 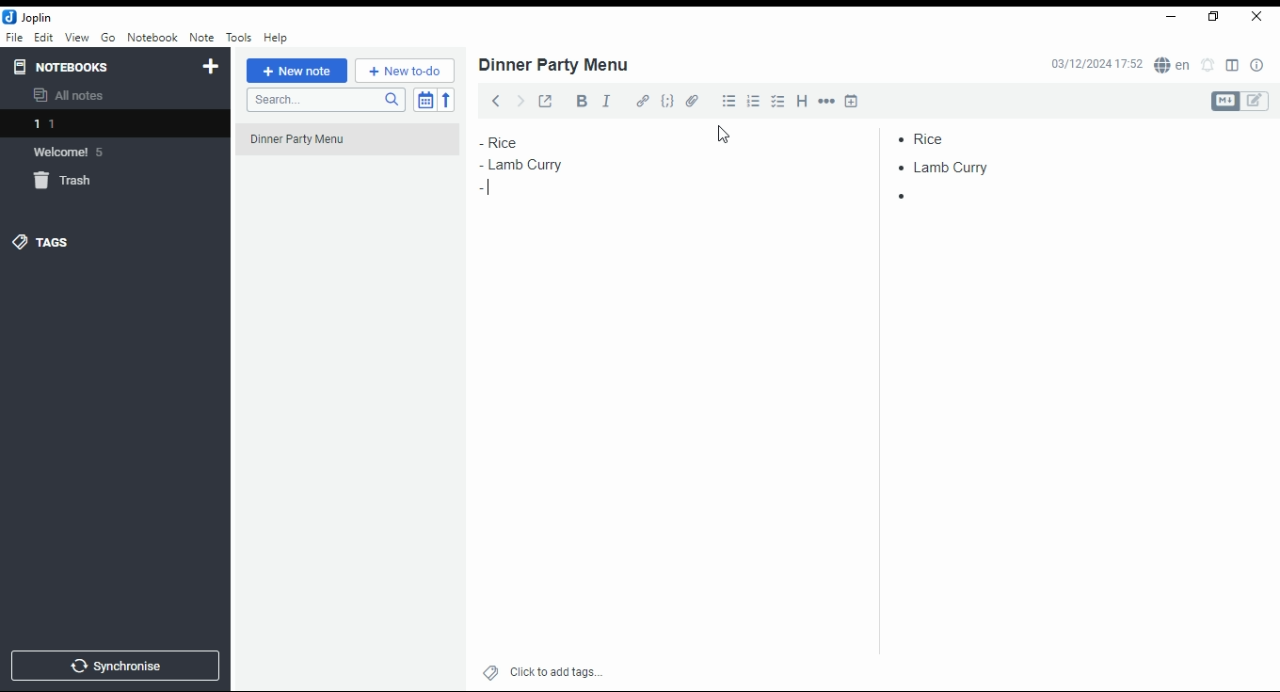 What do you see at coordinates (448, 99) in the screenshot?
I see `reverse sort order` at bounding box center [448, 99].